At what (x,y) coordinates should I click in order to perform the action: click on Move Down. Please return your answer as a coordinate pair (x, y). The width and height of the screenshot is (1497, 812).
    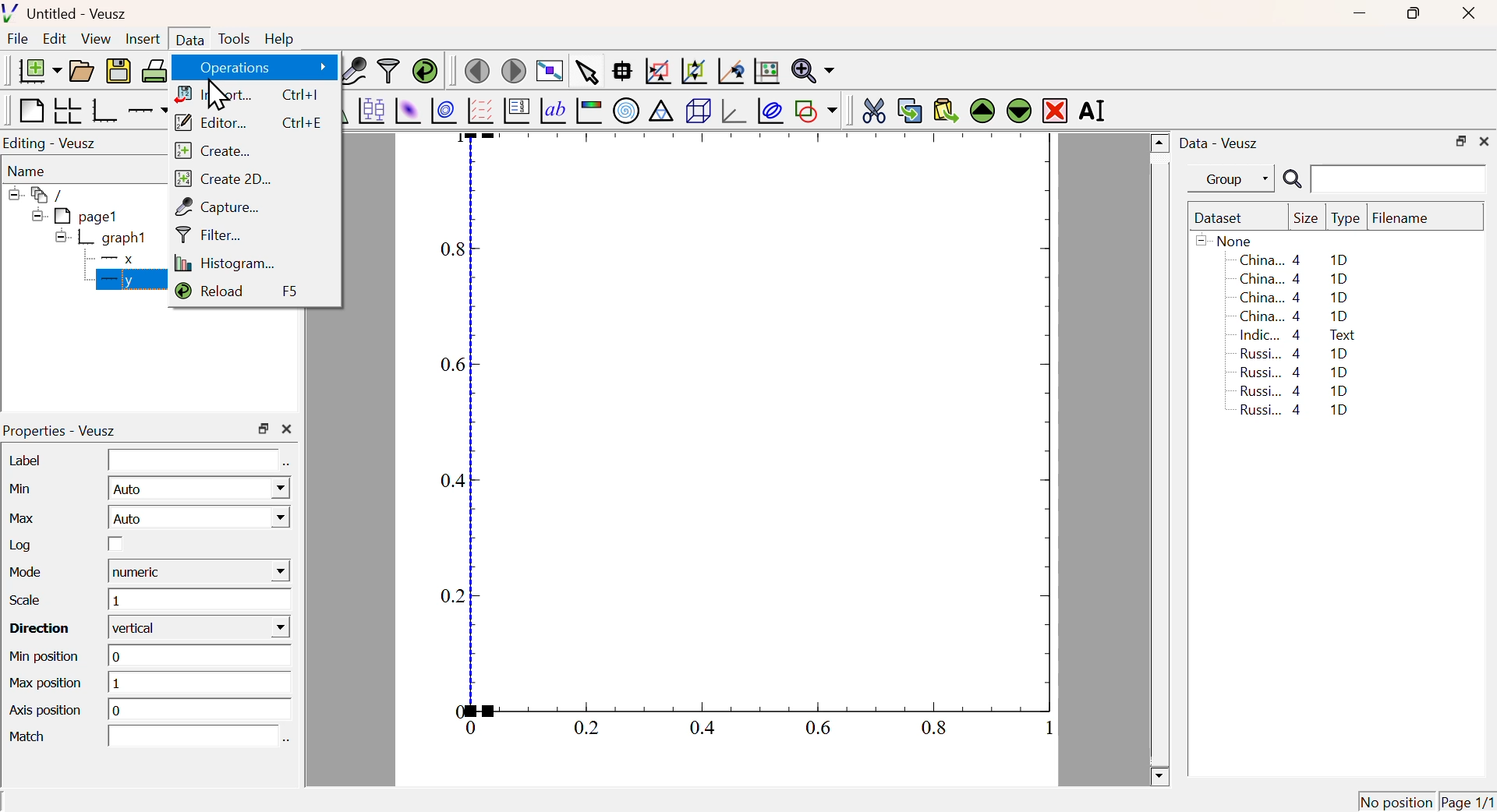
    Looking at the image, I should click on (1018, 110).